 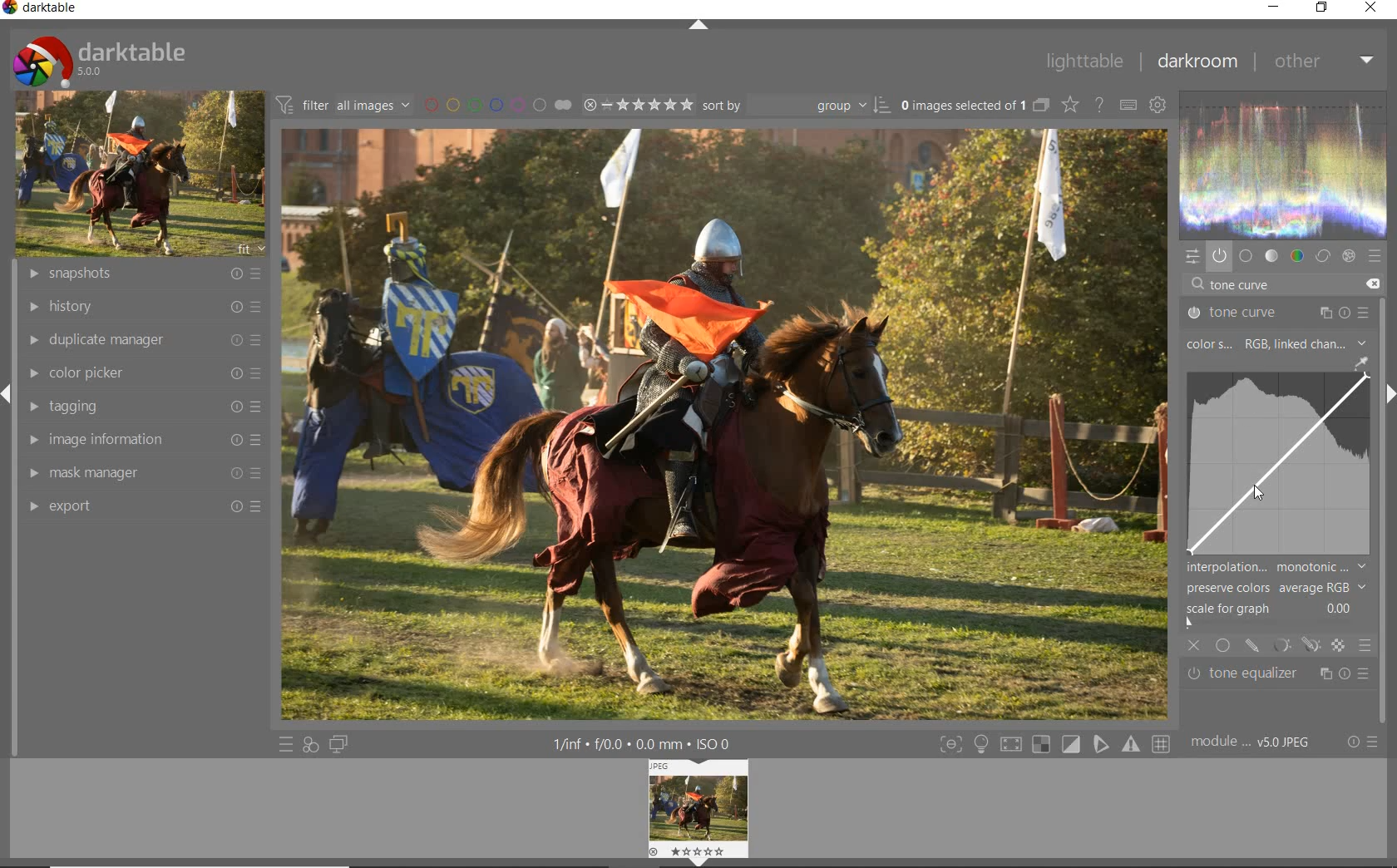 I want to click on Image preview, so click(x=701, y=810).